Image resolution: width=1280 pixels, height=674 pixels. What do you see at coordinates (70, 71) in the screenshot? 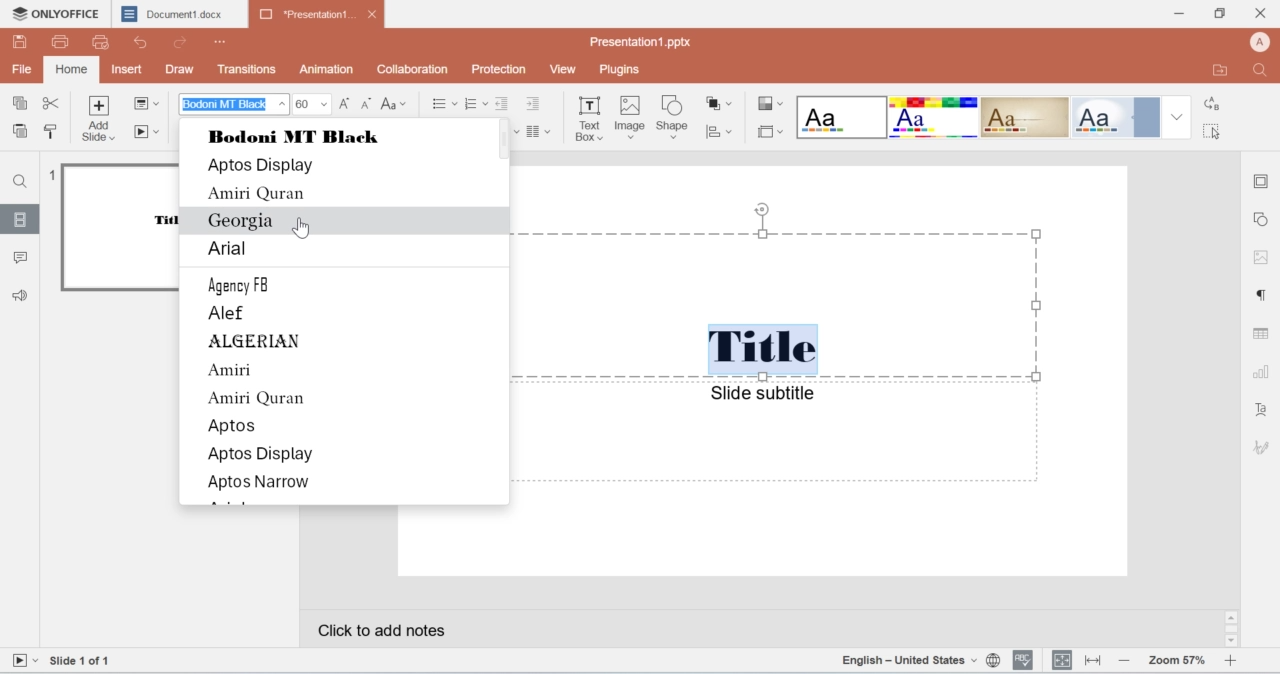
I see `home` at bounding box center [70, 71].